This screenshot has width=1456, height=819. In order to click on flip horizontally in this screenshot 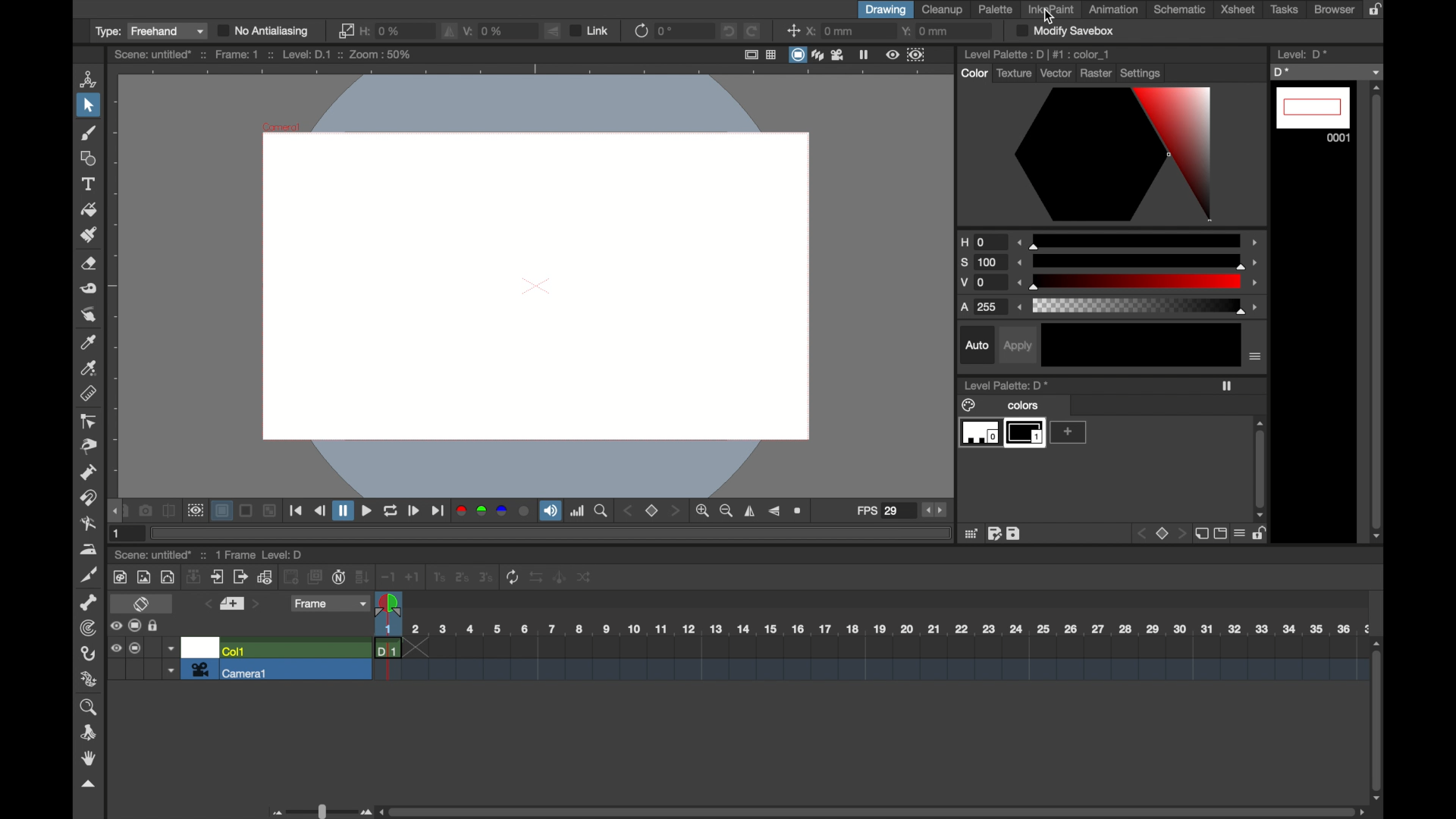, I will do `click(751, 511)`.